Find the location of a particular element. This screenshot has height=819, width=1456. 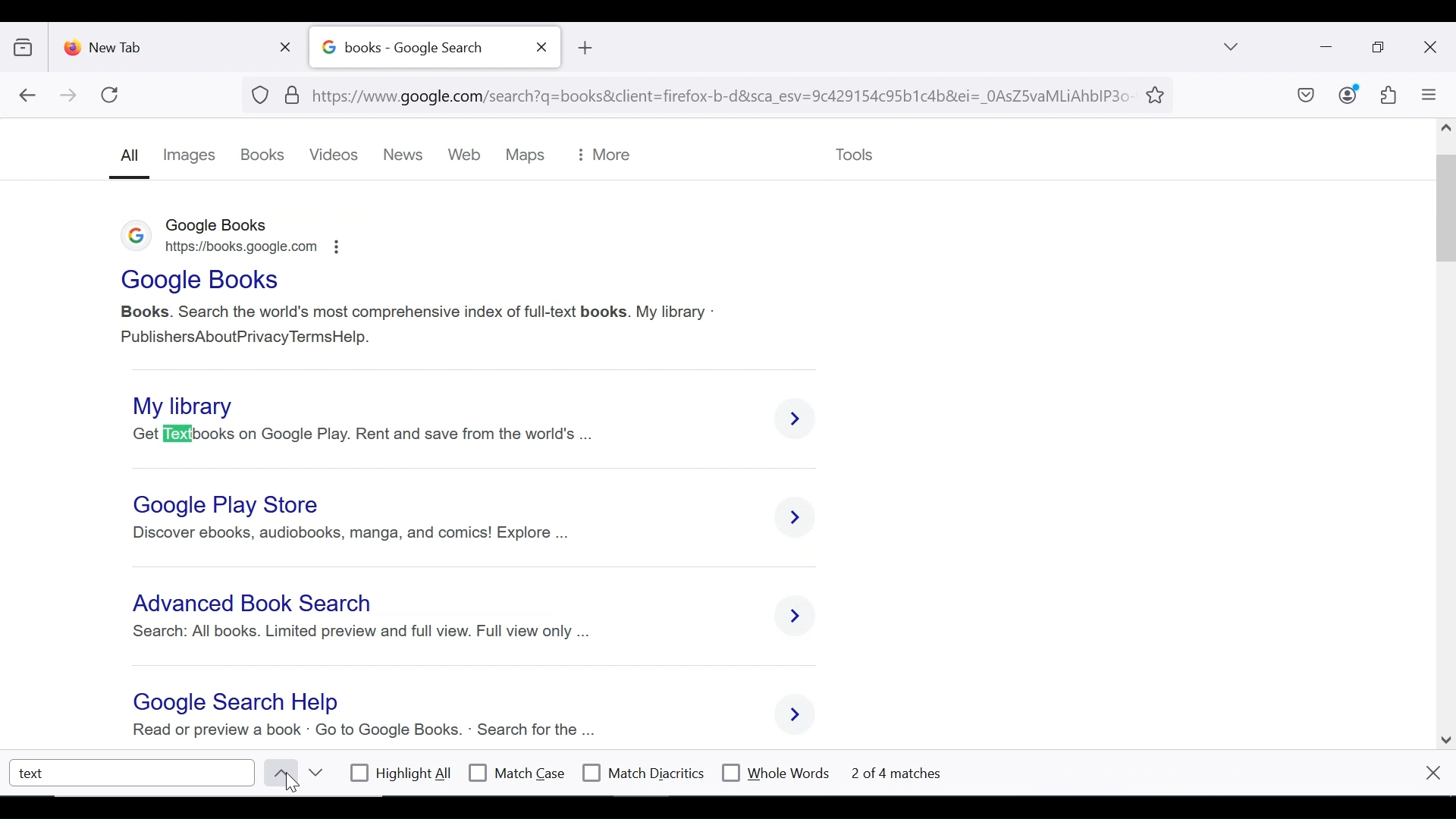

books is located at coordinates (263, 155).